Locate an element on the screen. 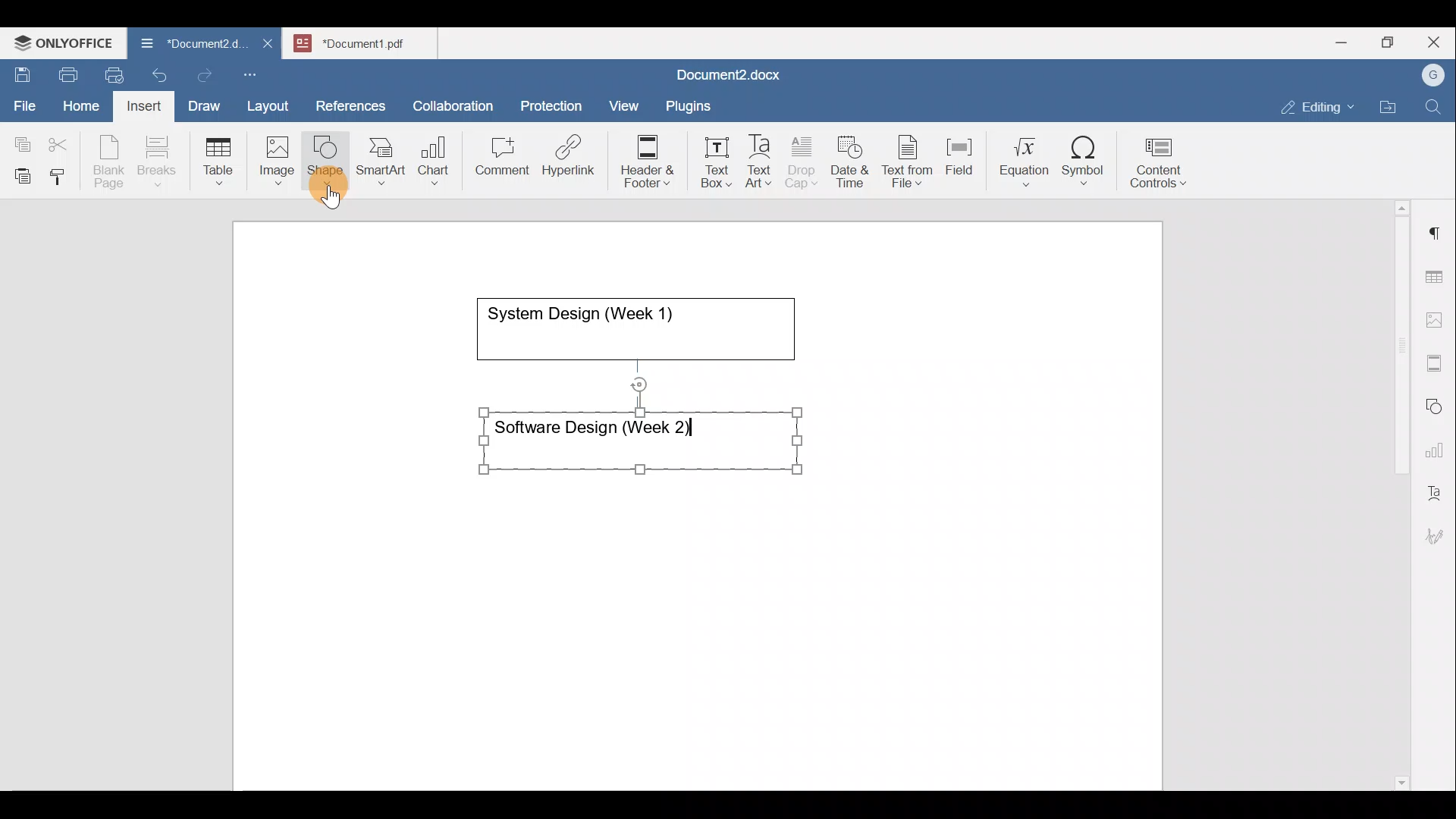 This screenshot has width=1456, height=819. Document name is located at coordinates (725, 77).